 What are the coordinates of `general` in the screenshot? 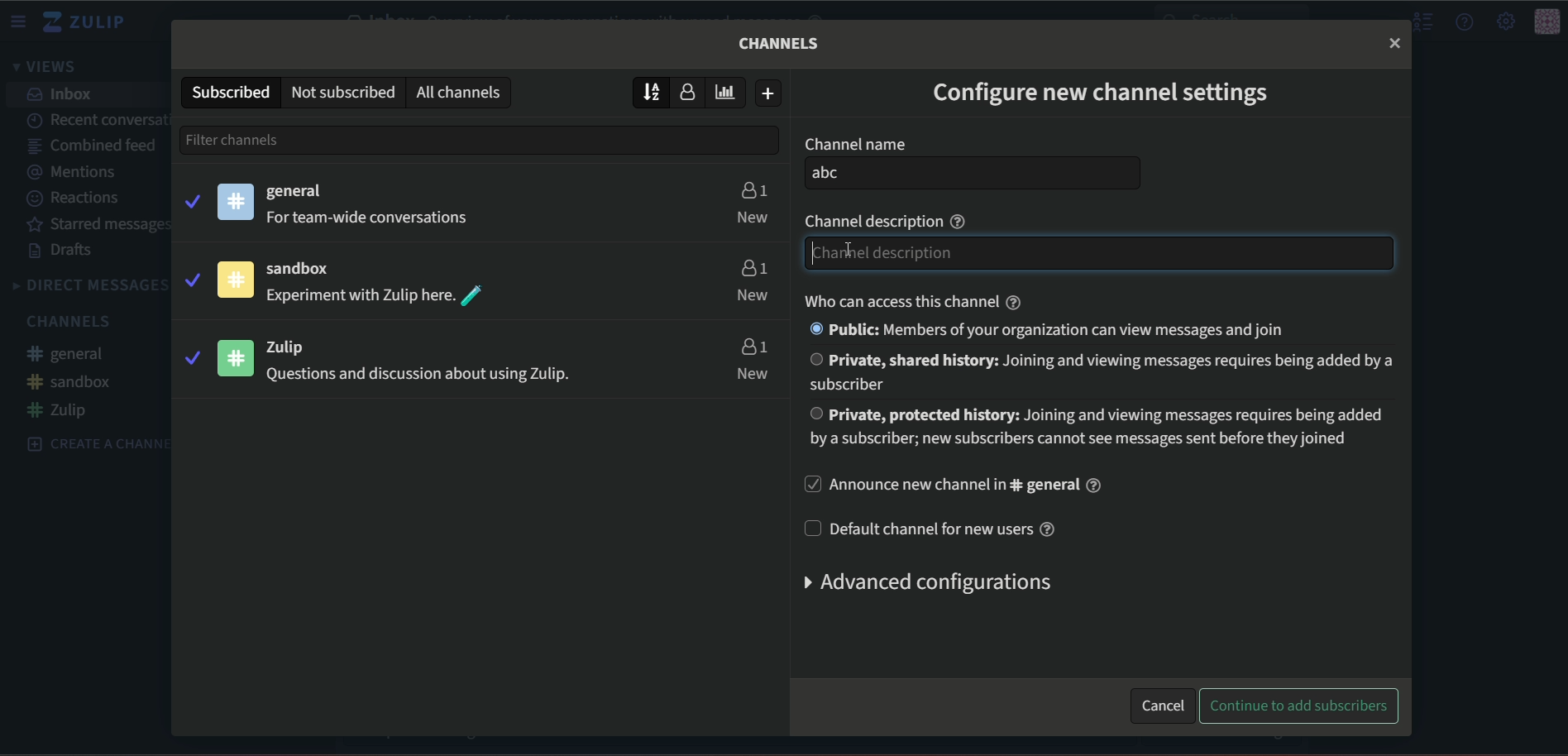 It's located at (299, 192).